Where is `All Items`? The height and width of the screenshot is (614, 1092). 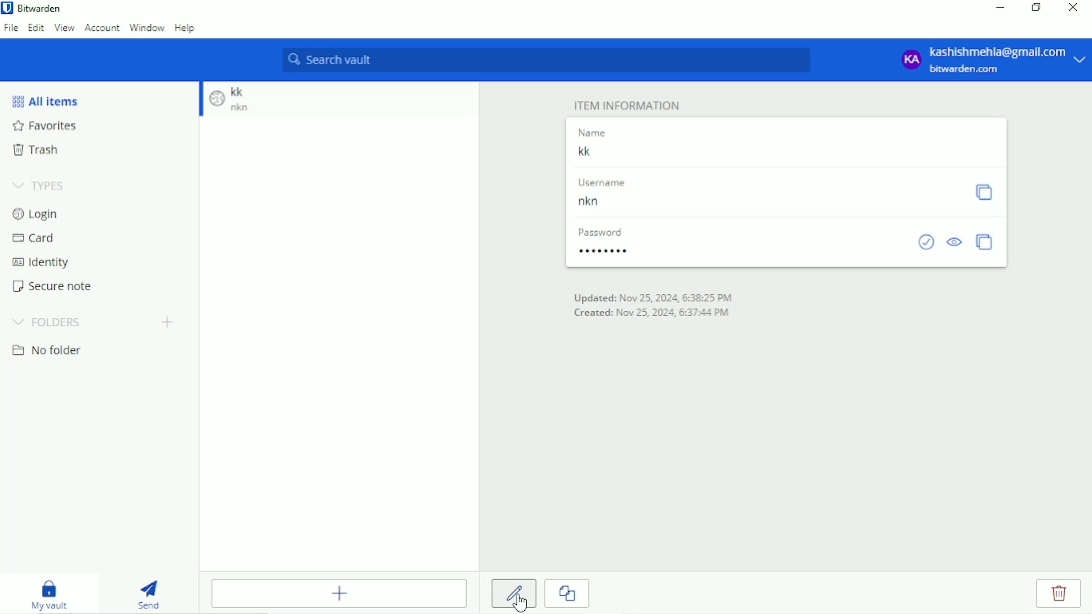 All Items is located at coordinates (44, 101).